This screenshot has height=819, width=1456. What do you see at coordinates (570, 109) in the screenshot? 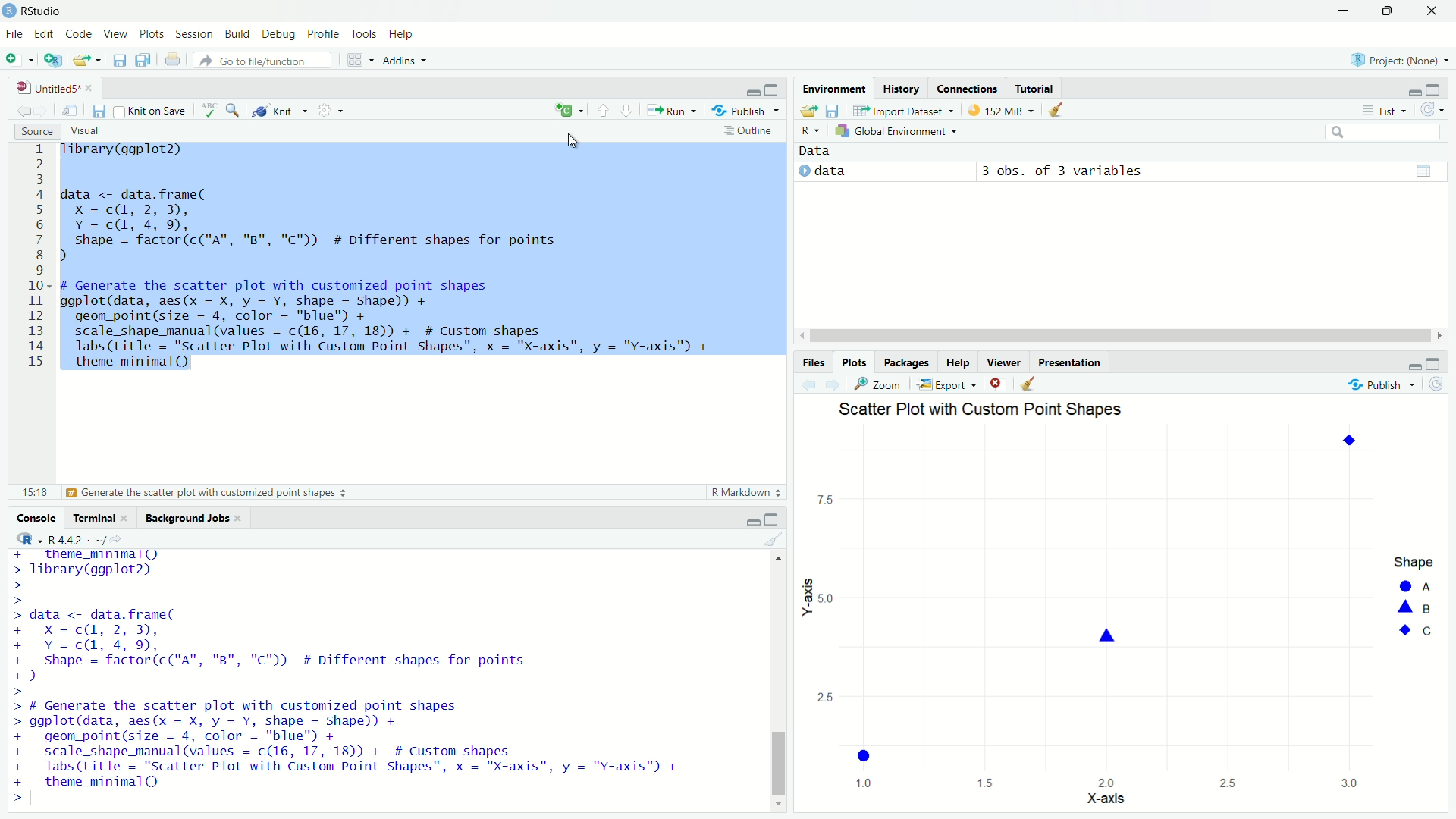
I see `insert a new code/chunk` at bounding box center [570, 109].